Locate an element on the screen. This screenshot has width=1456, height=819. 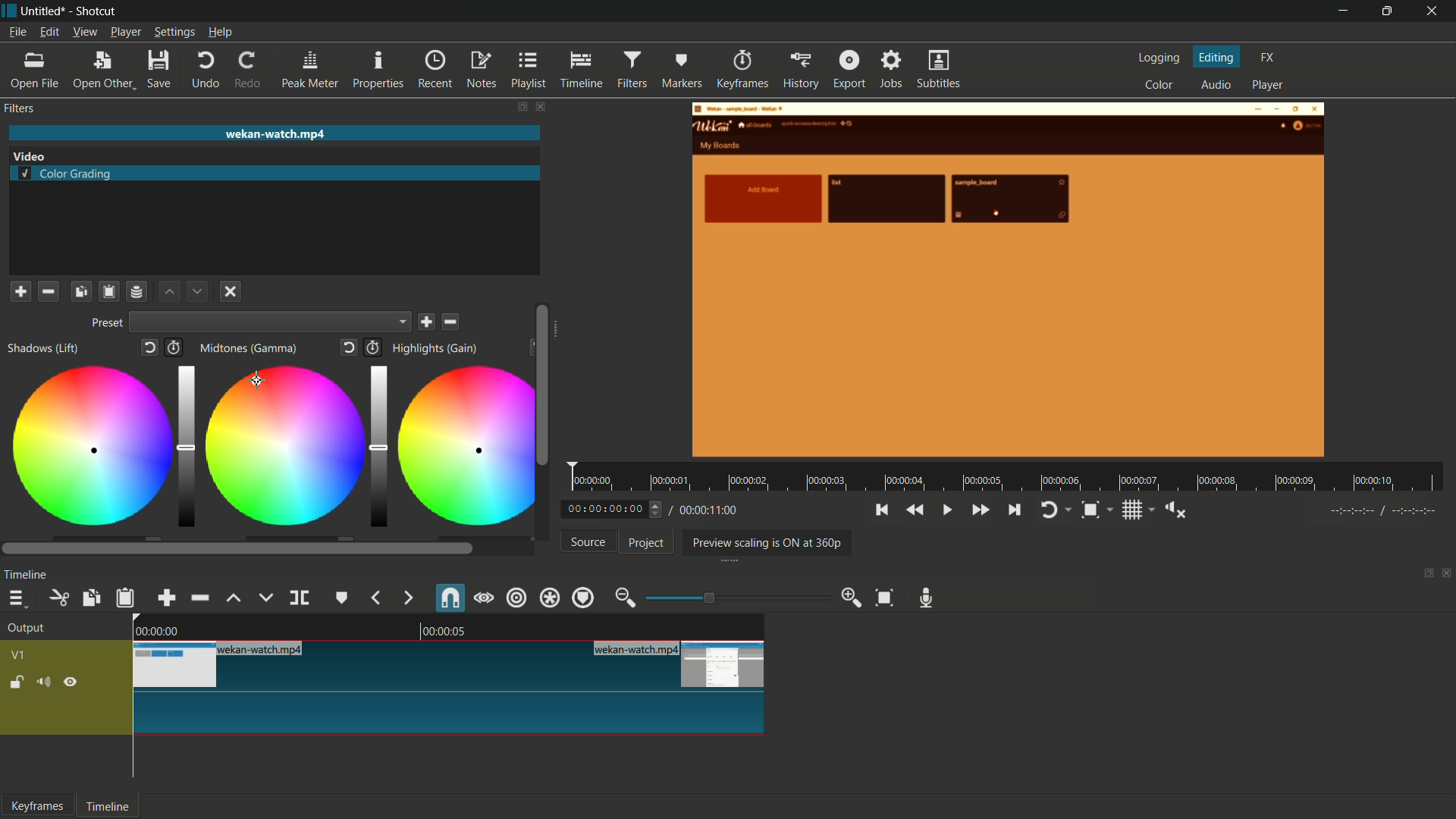
keyframes is located at coordinates (740, 70).